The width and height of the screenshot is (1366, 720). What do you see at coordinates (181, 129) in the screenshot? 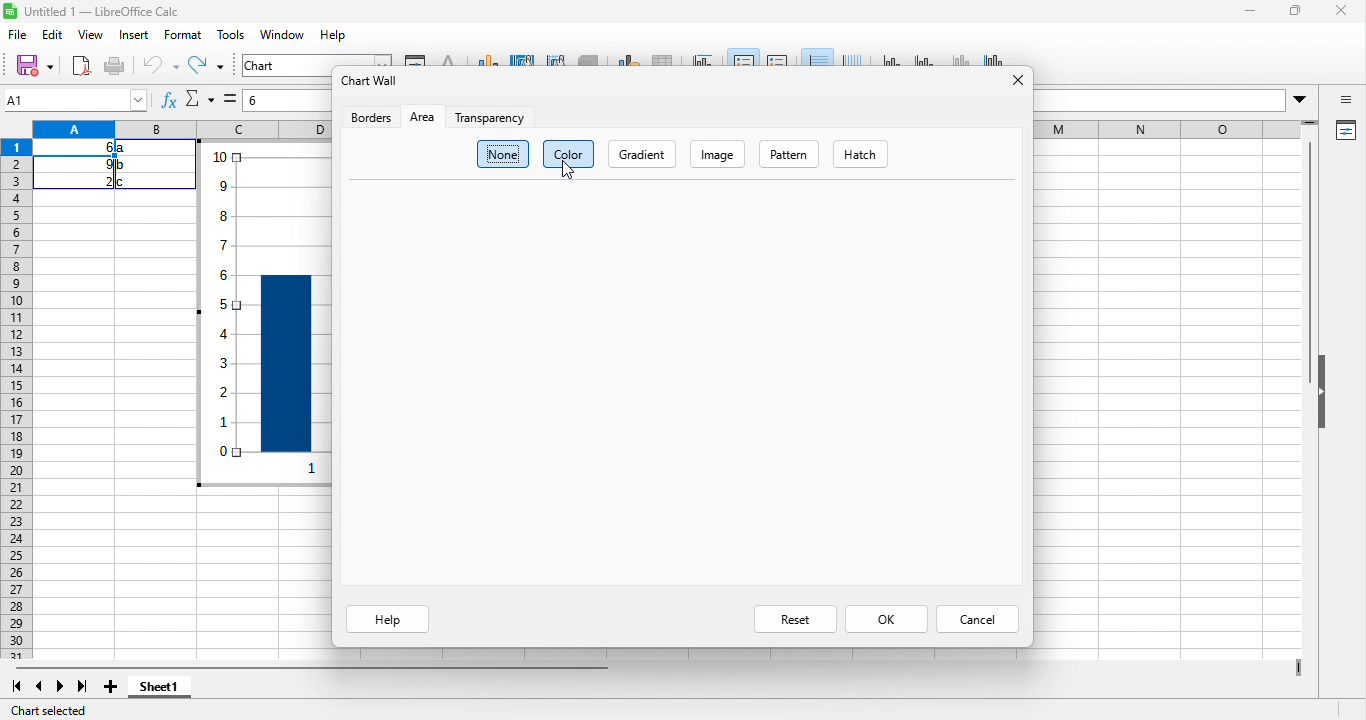
I see `column headings` at bounding box center [181, 129].